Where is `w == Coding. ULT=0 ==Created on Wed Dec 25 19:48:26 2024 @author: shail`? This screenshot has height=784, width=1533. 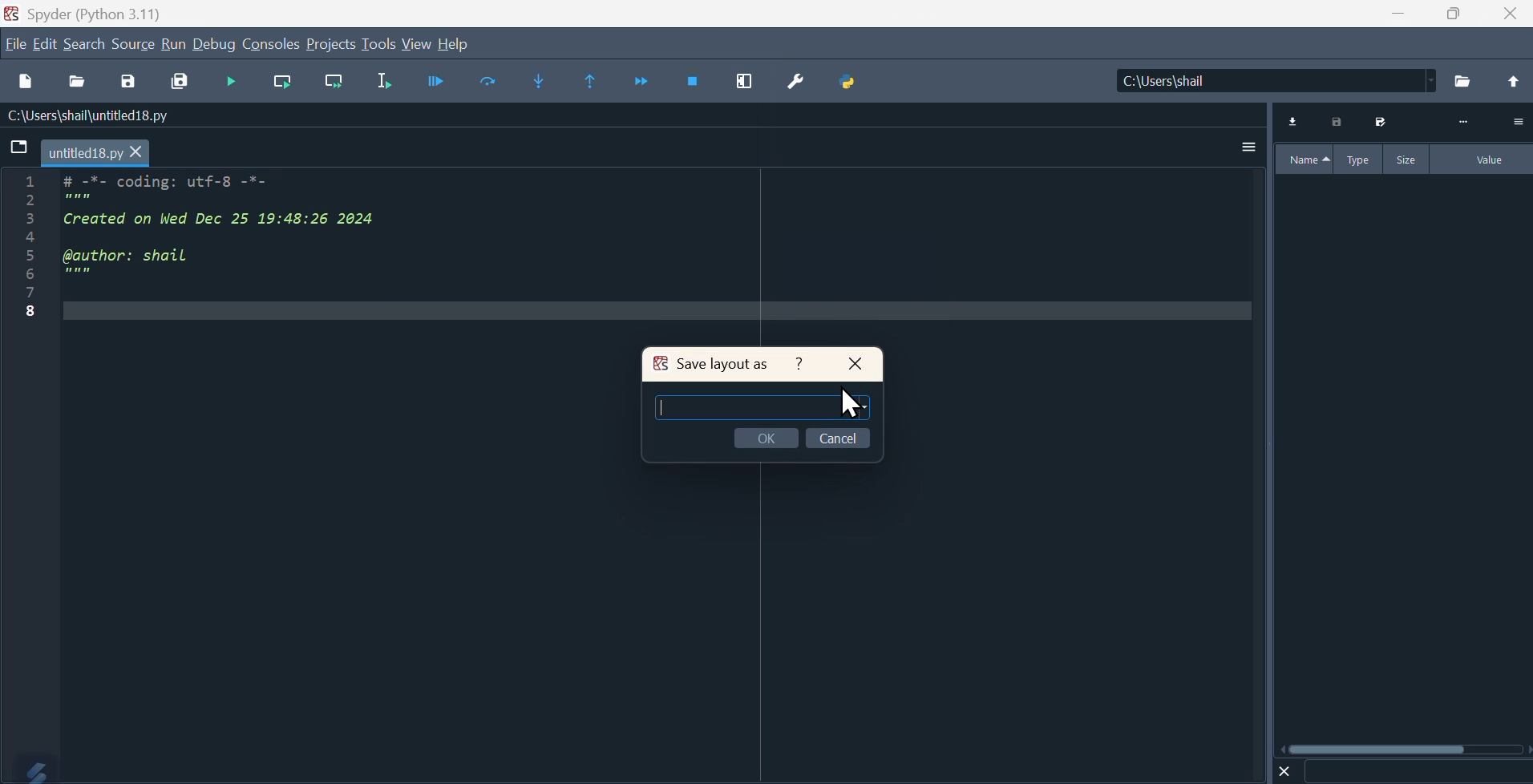 w == Coding. ULT=0 ==Created on Wed Dec 25 19:48:26 2024 @author: shail is located at coordinates (200, 260).